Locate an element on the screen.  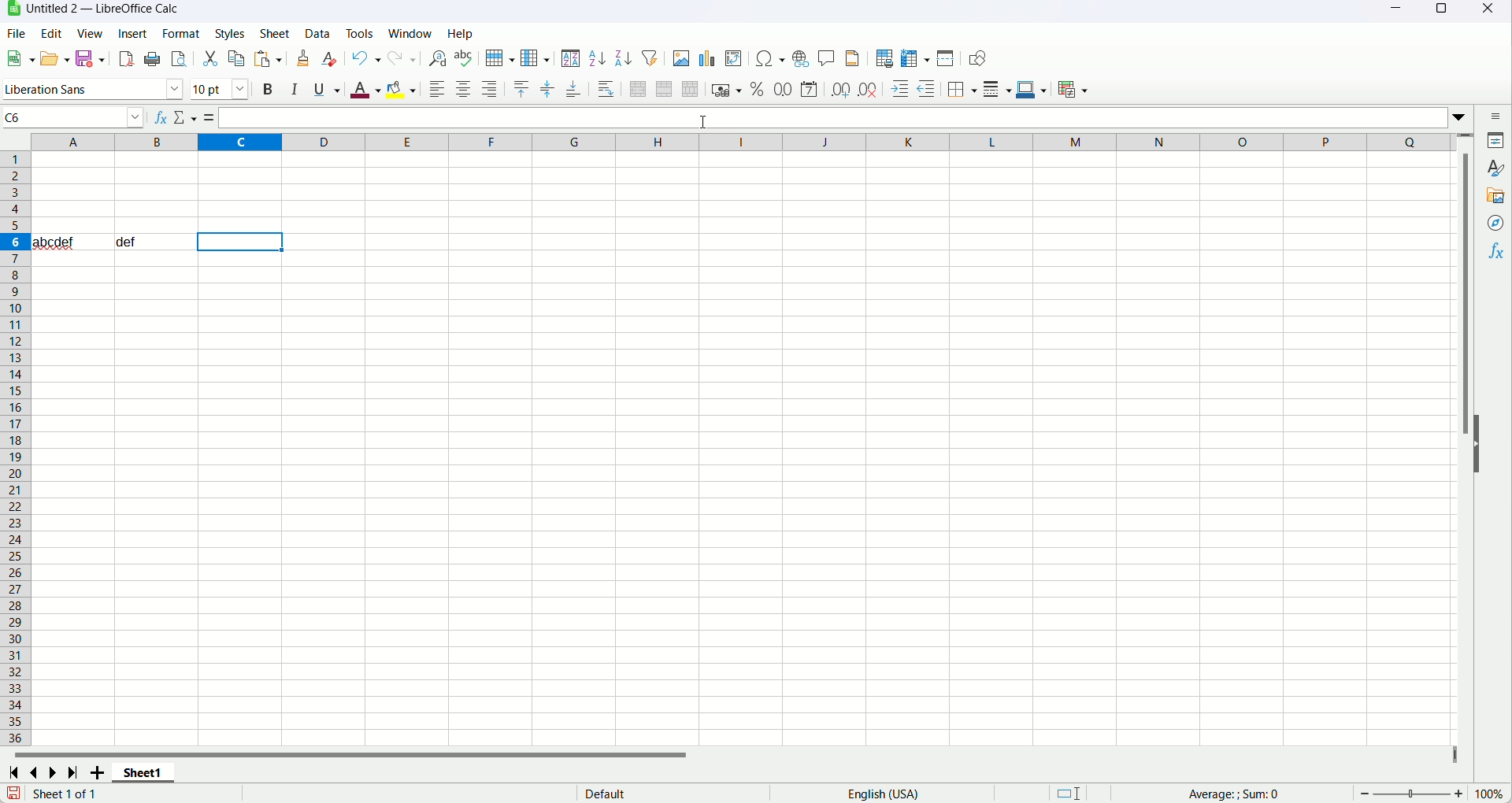
gallery is located at coordinates (1497, 197).